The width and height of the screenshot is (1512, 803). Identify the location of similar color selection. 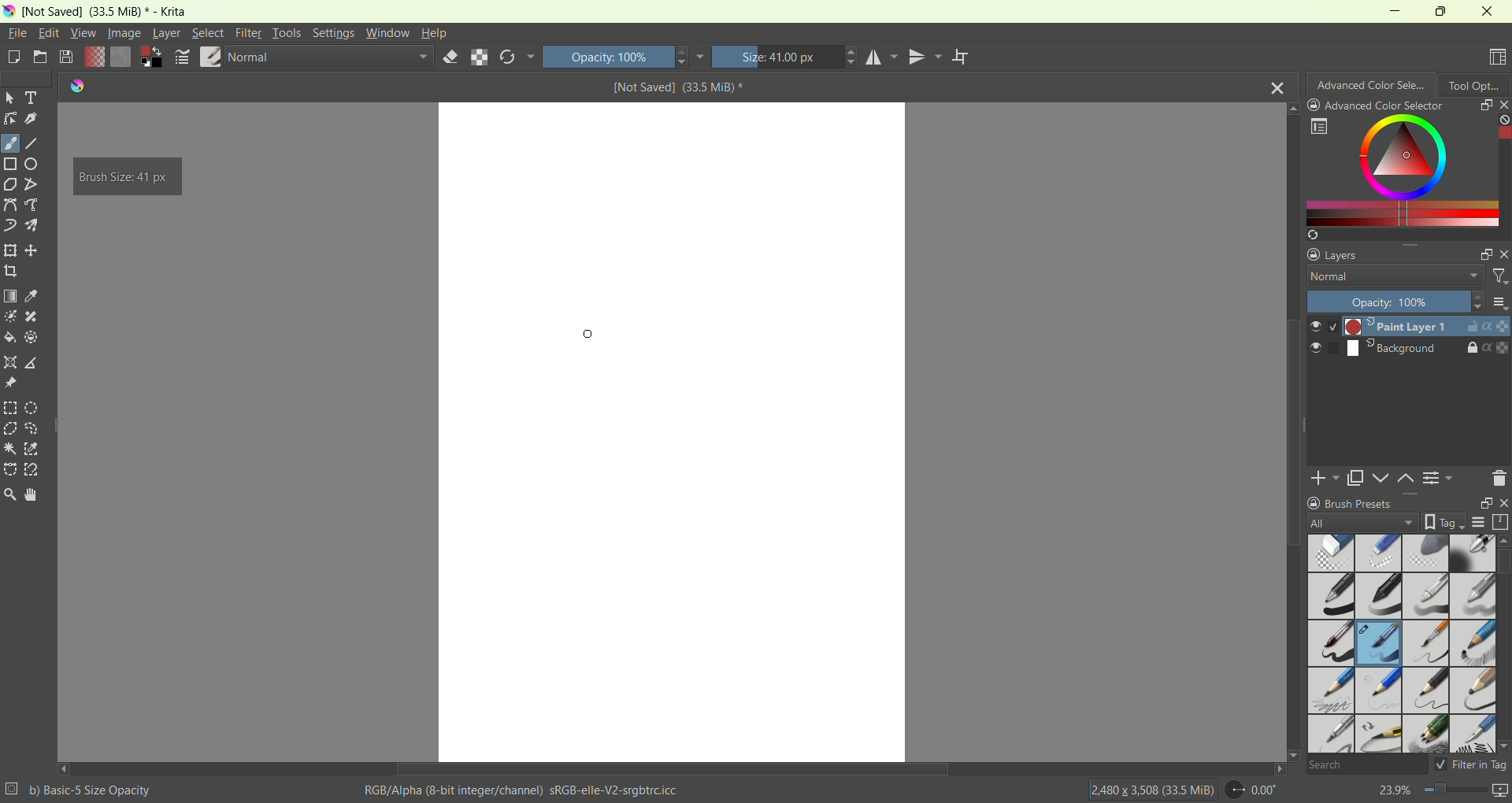
(31, 449).